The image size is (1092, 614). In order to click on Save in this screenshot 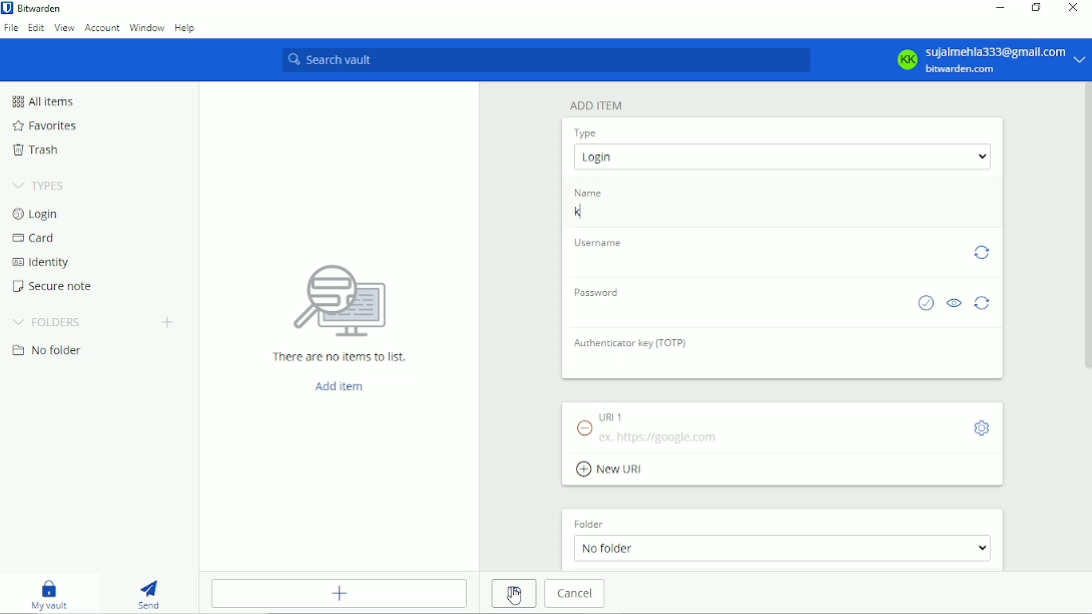, I will do `click(515, 594)`.